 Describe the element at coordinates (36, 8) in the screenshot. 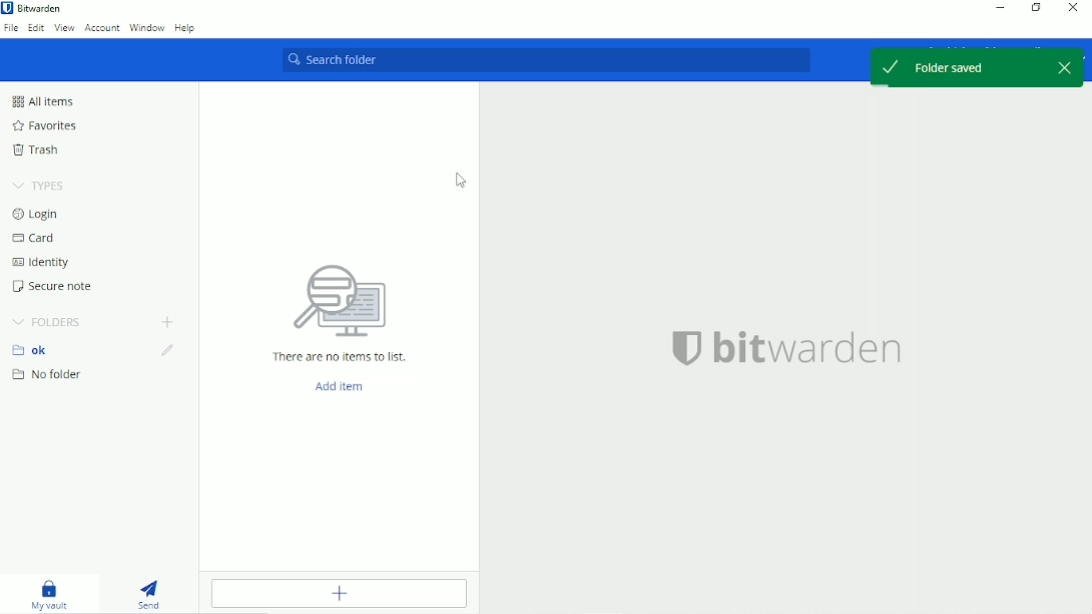

I see `Bitwarden` at that location.